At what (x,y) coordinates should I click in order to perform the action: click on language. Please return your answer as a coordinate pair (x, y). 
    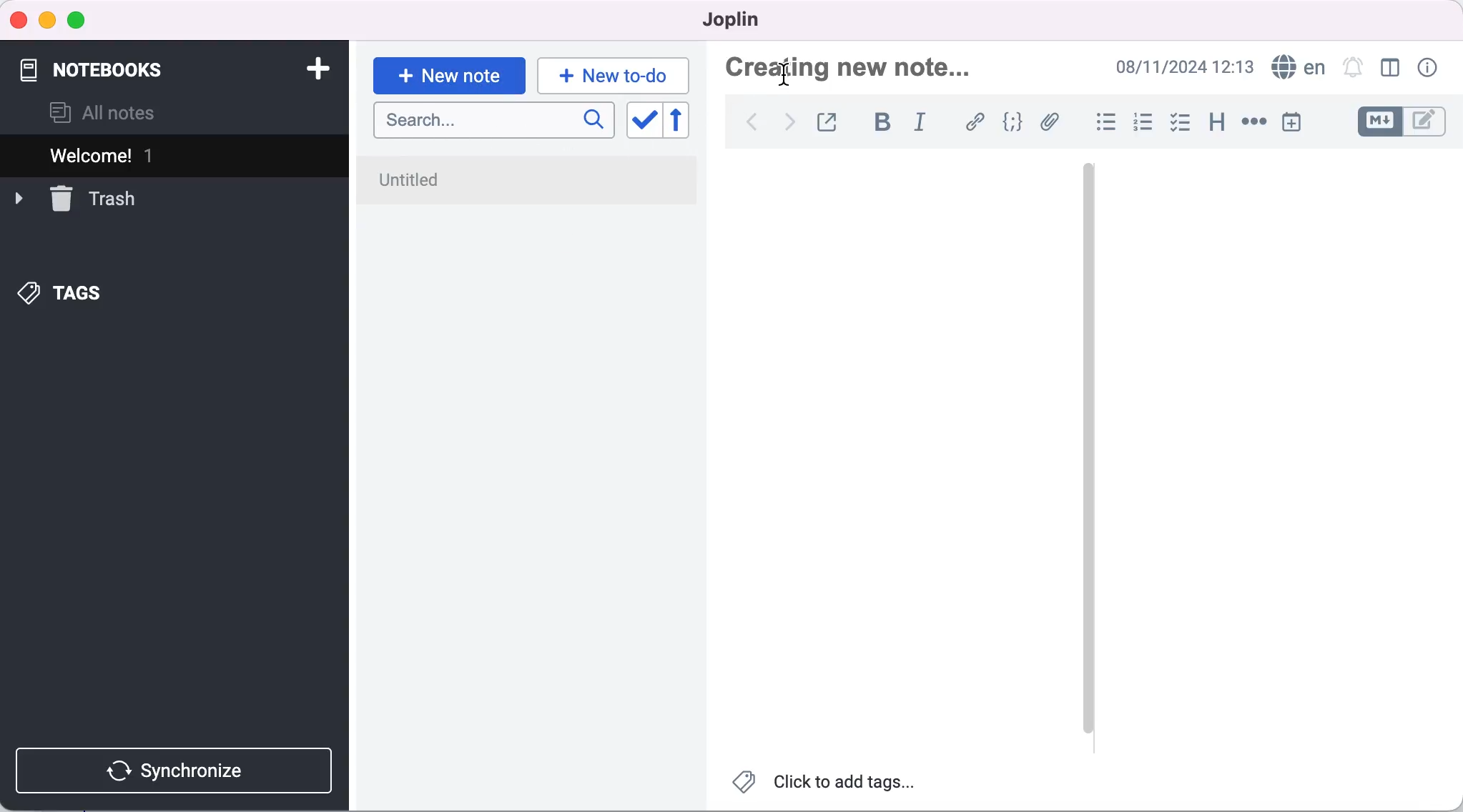
    Looking at the image, I should click on (1296, 67).